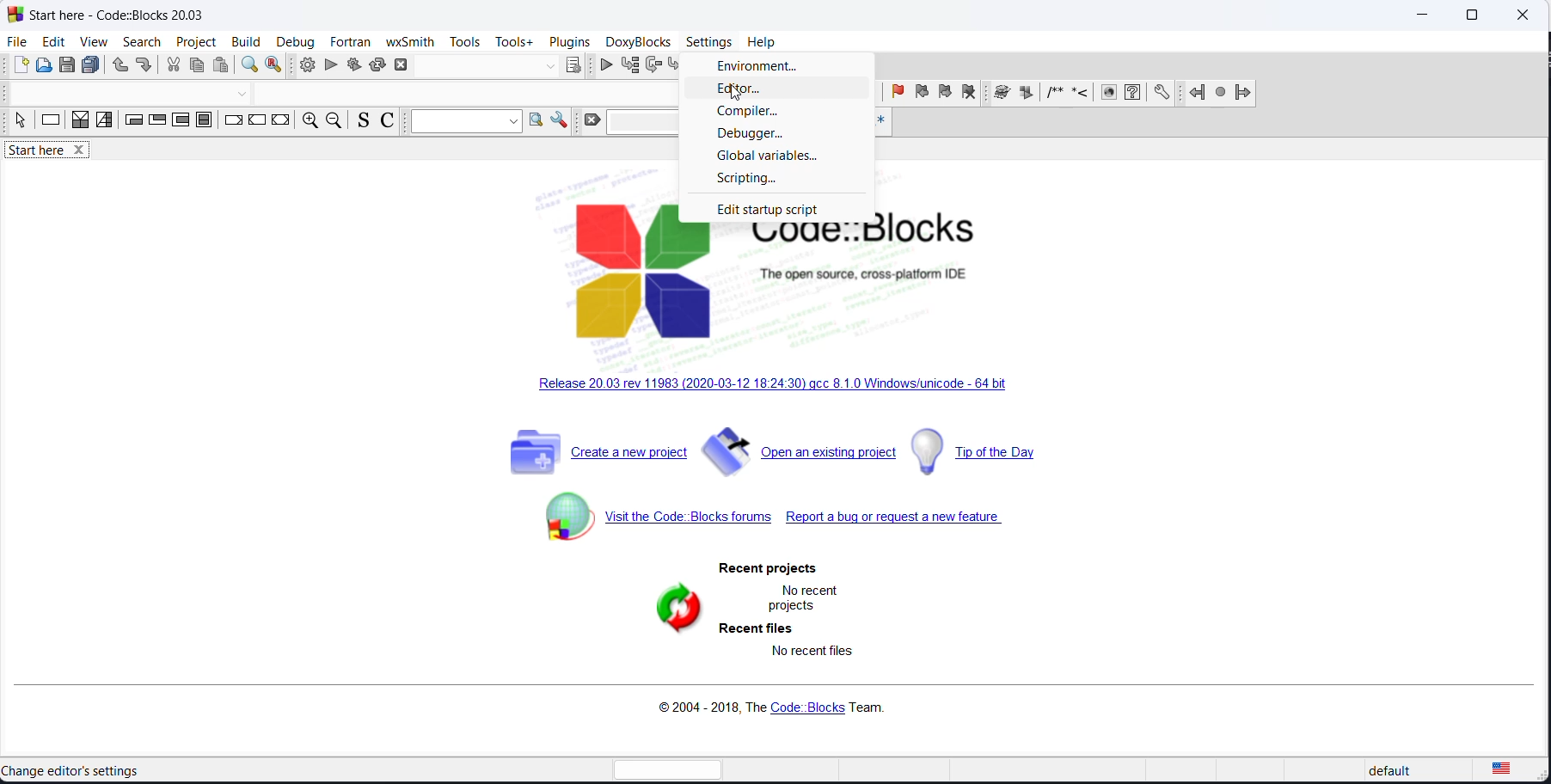 The image size is (1551, 784). What do you see at coordinates (1055, 95) in the screenshot?
I see `icon` at bounding box center [1055, 95].